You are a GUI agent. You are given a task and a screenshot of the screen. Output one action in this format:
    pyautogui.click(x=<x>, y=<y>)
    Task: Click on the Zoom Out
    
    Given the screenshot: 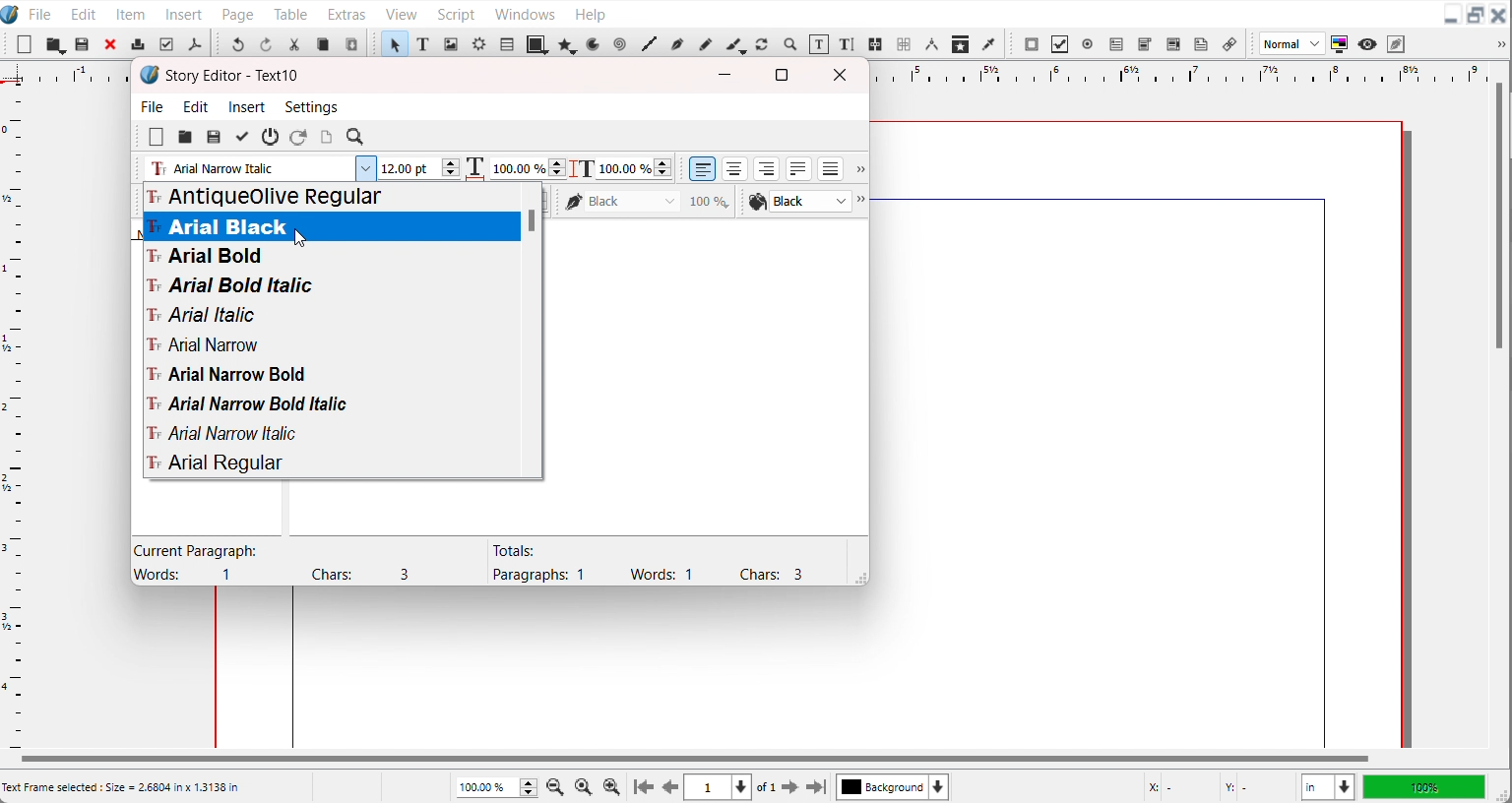 What is the action you would take?
    pyautogui.click(x=557, y=785)
    